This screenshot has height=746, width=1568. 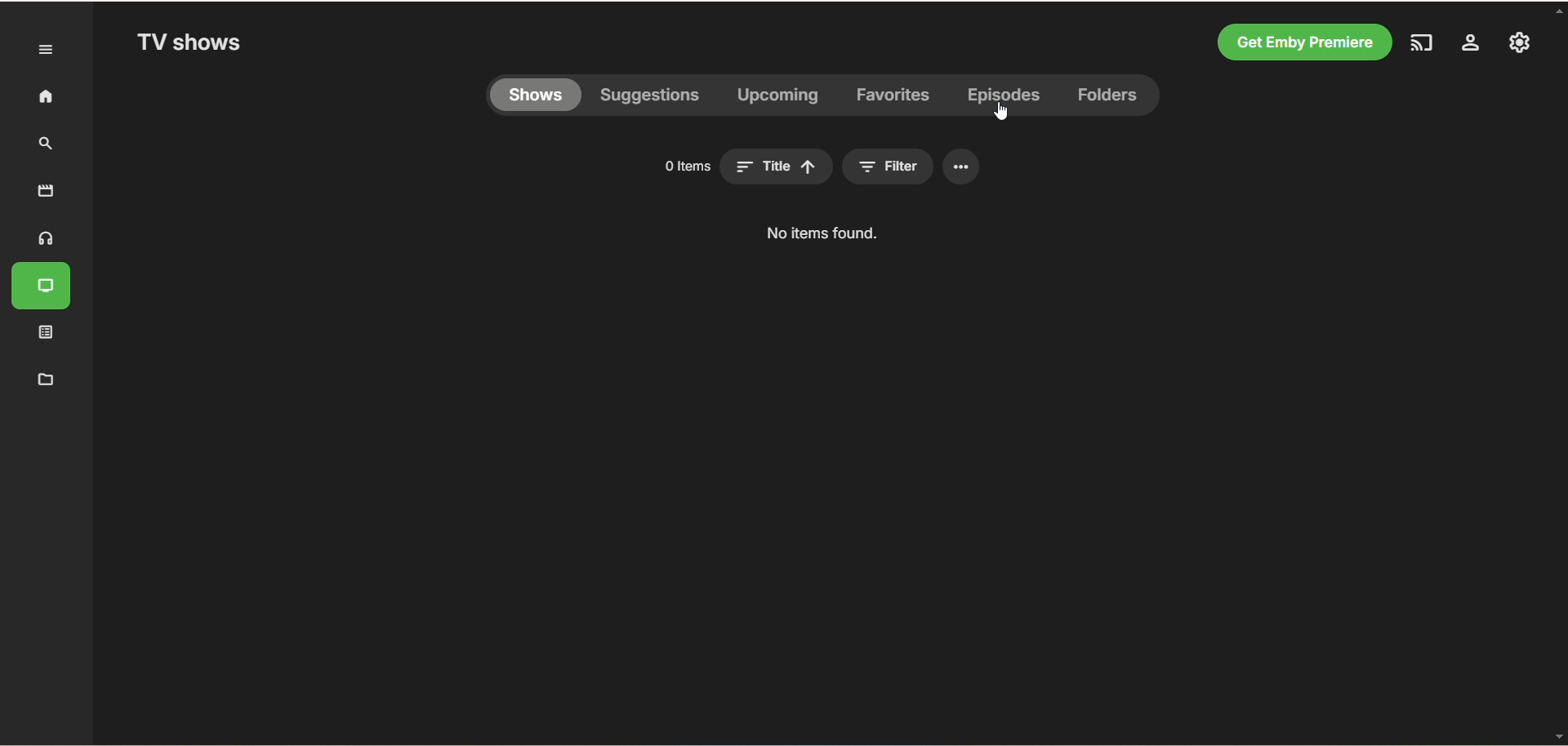 What do you see at coordinates (688, 167) in the screenshot?
I see `item number` at bounding box center [688, 167].